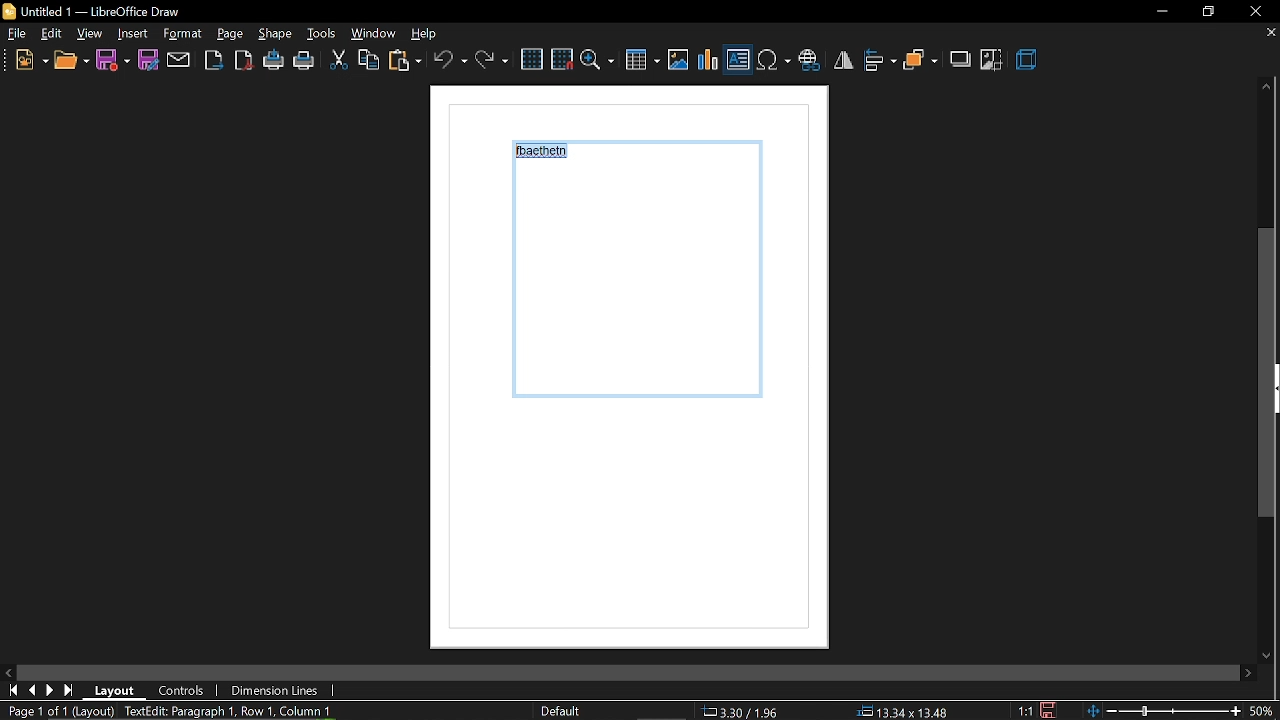 The width and height of the screenshot is (1280, 720). Describe the element at coordinates (146, 59) in the screenshot. I see `save as` at that location.